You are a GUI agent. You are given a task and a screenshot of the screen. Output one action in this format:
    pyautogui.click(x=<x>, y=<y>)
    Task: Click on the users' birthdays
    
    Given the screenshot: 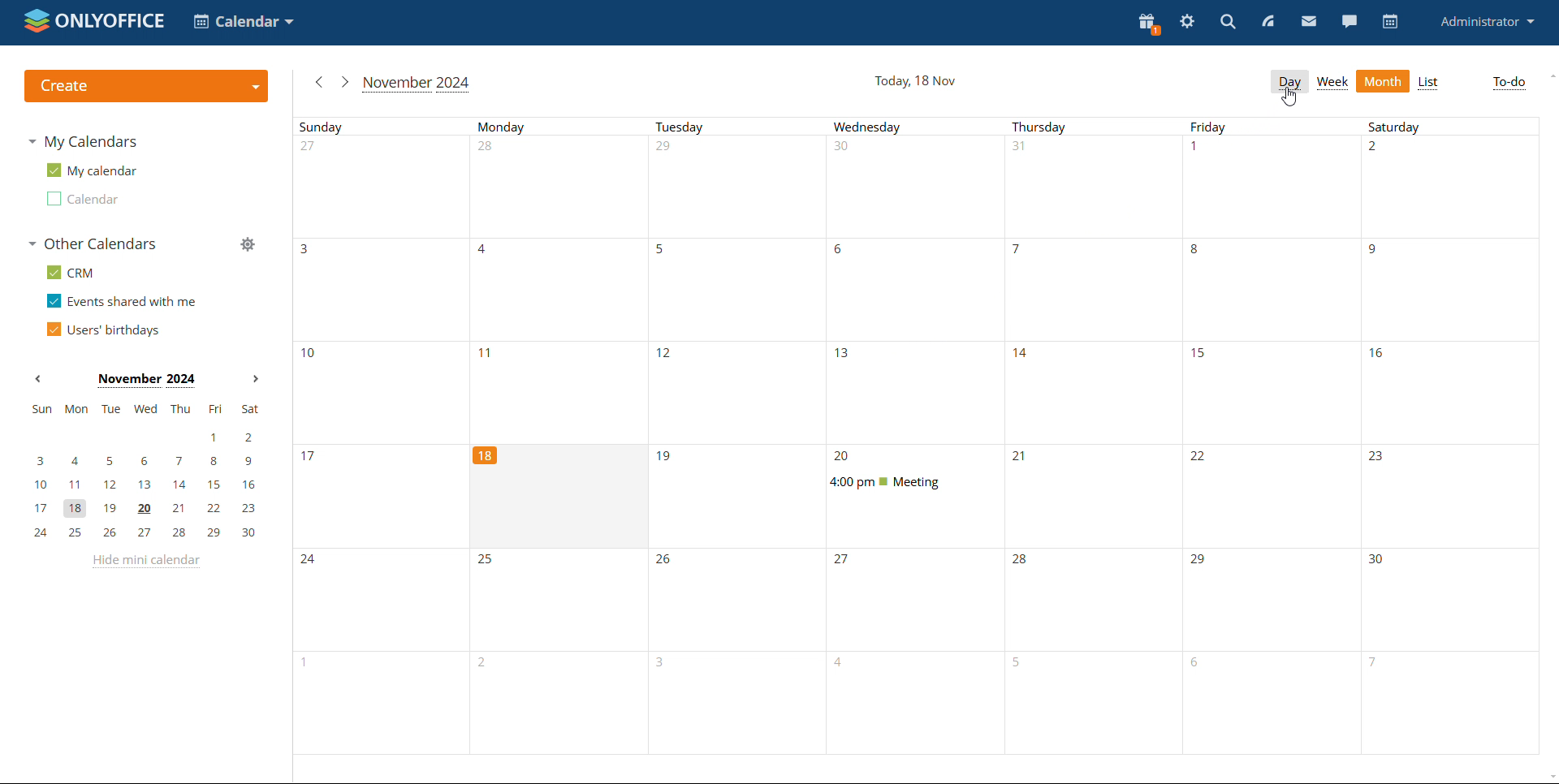 What is the action you would take?
    pyautogui.click(x=103, y=330)
    